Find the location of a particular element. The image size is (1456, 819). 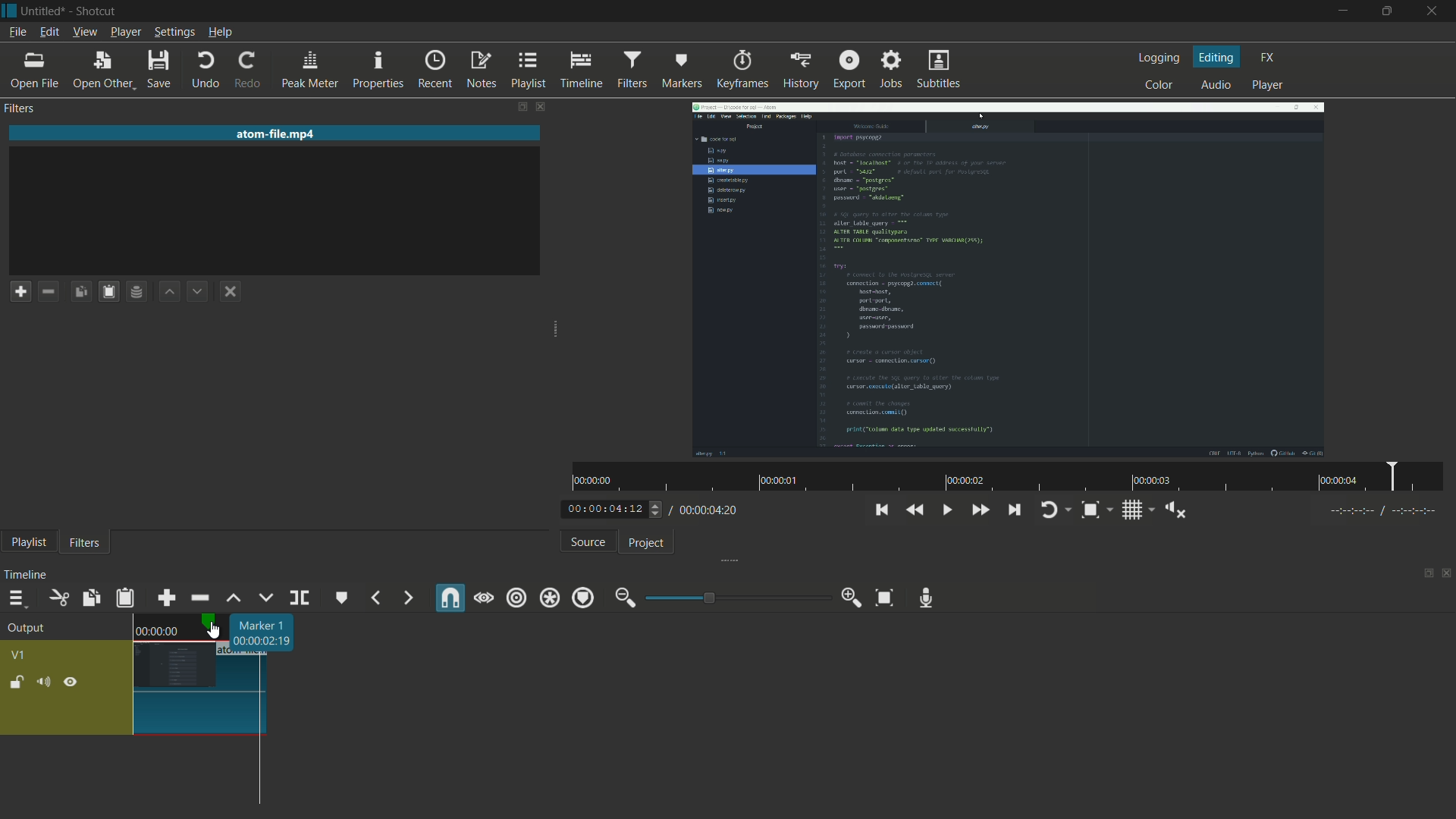

player menu is located at coordinates (126, 33).